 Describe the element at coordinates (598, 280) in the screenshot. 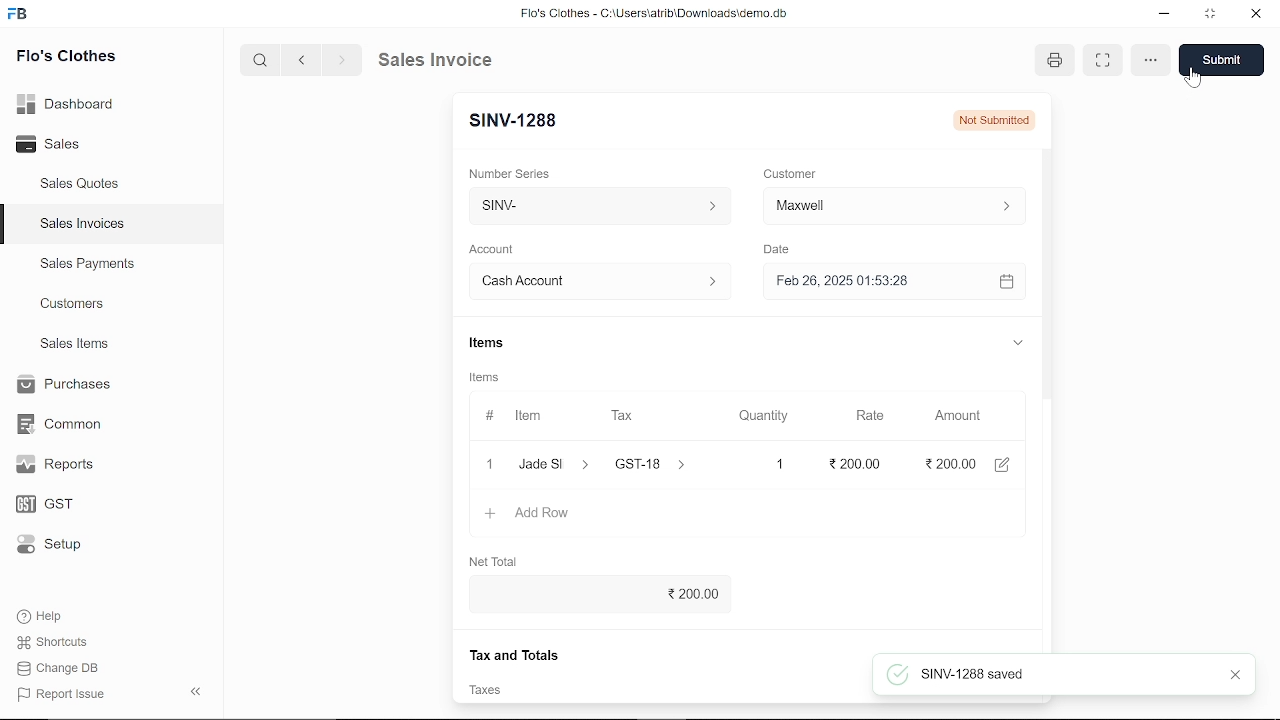

I see `Account :` at that location.